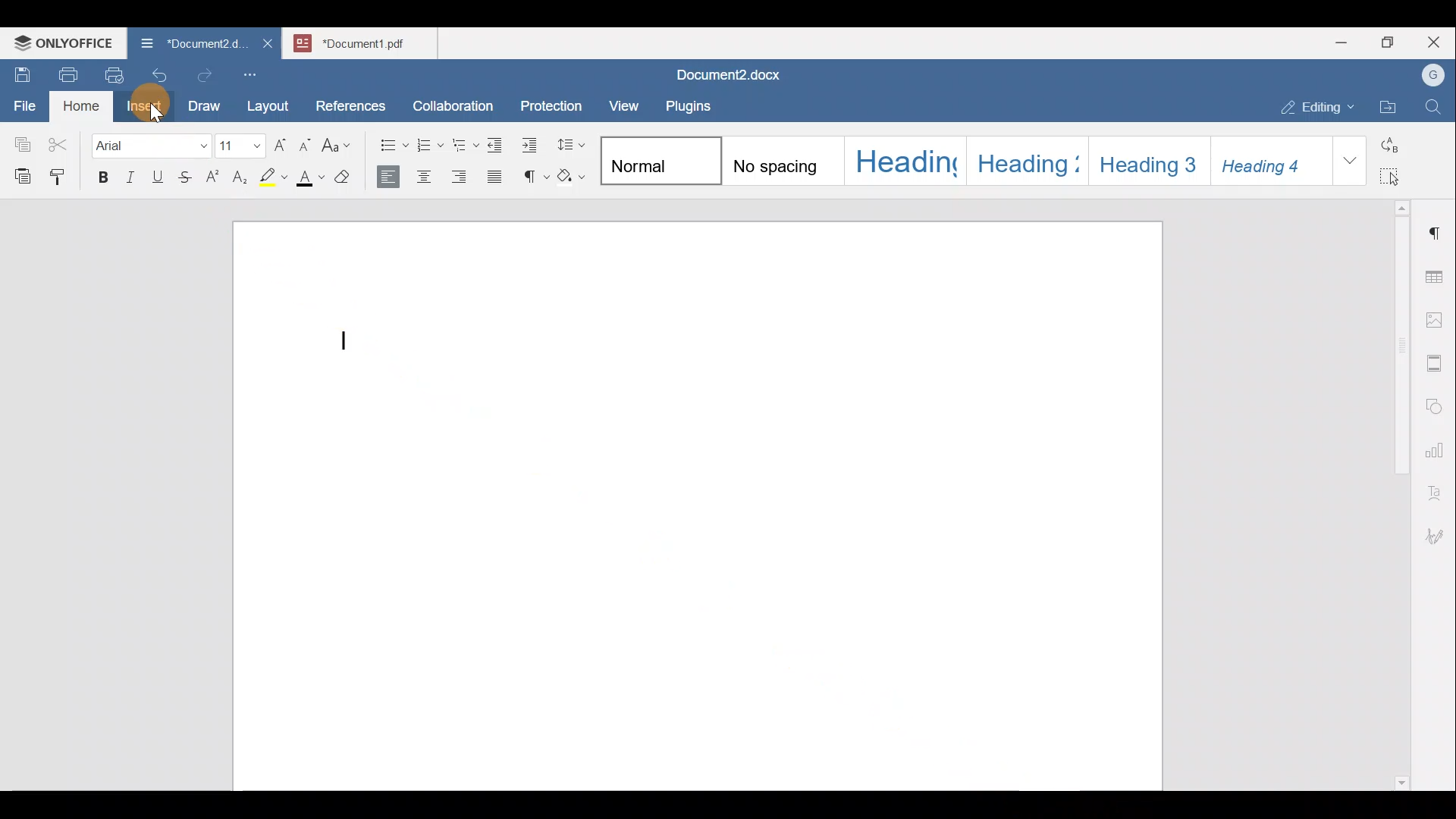 Image resolution: width=1456 pixels, height=819 pixels. What do you see at coordinates (62, 42) in the screenshot?
I see `ONLYOFFICE` at bounding box center [62, 42].